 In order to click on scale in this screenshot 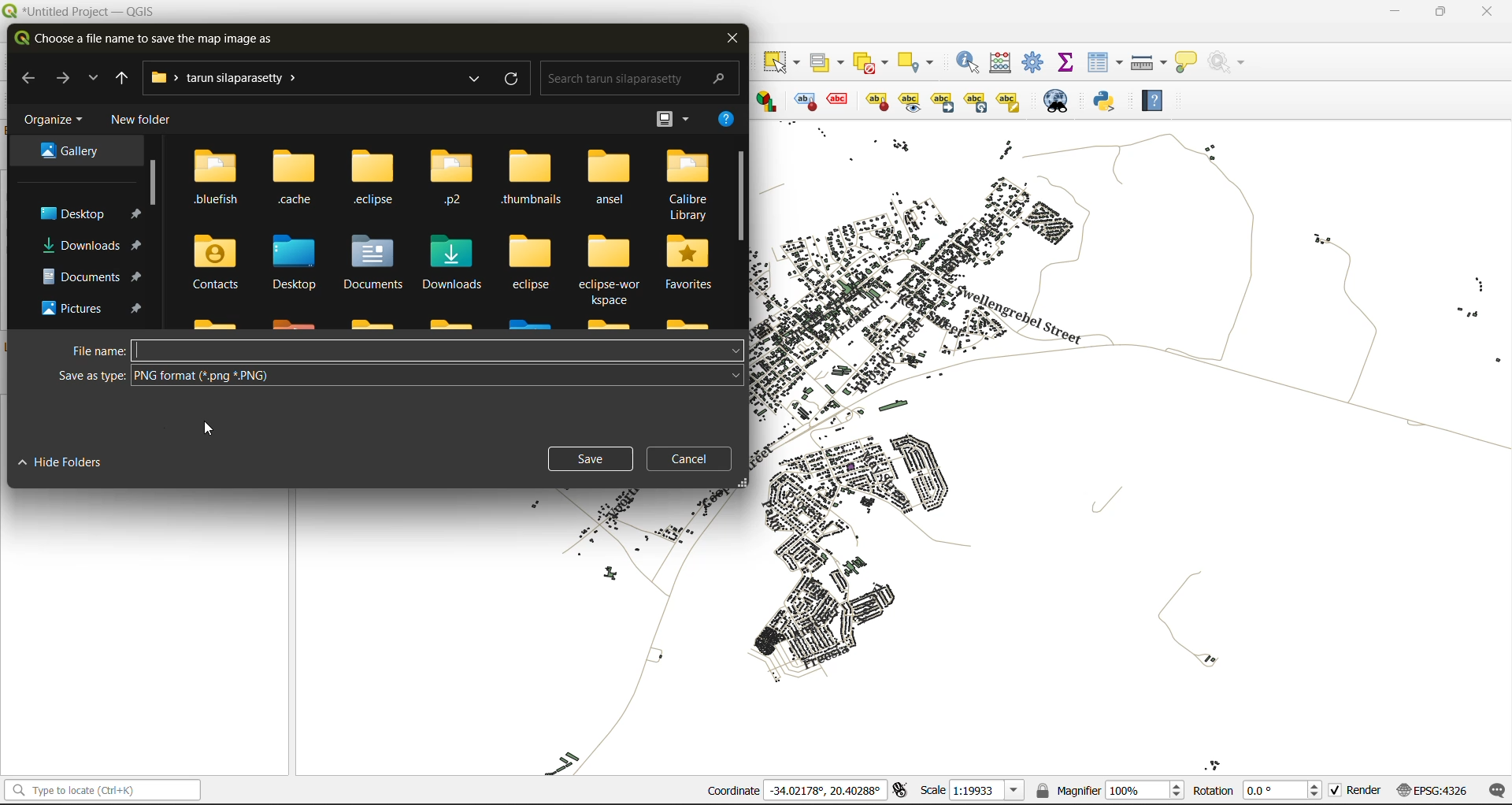, I will do `click(968, 791)`.